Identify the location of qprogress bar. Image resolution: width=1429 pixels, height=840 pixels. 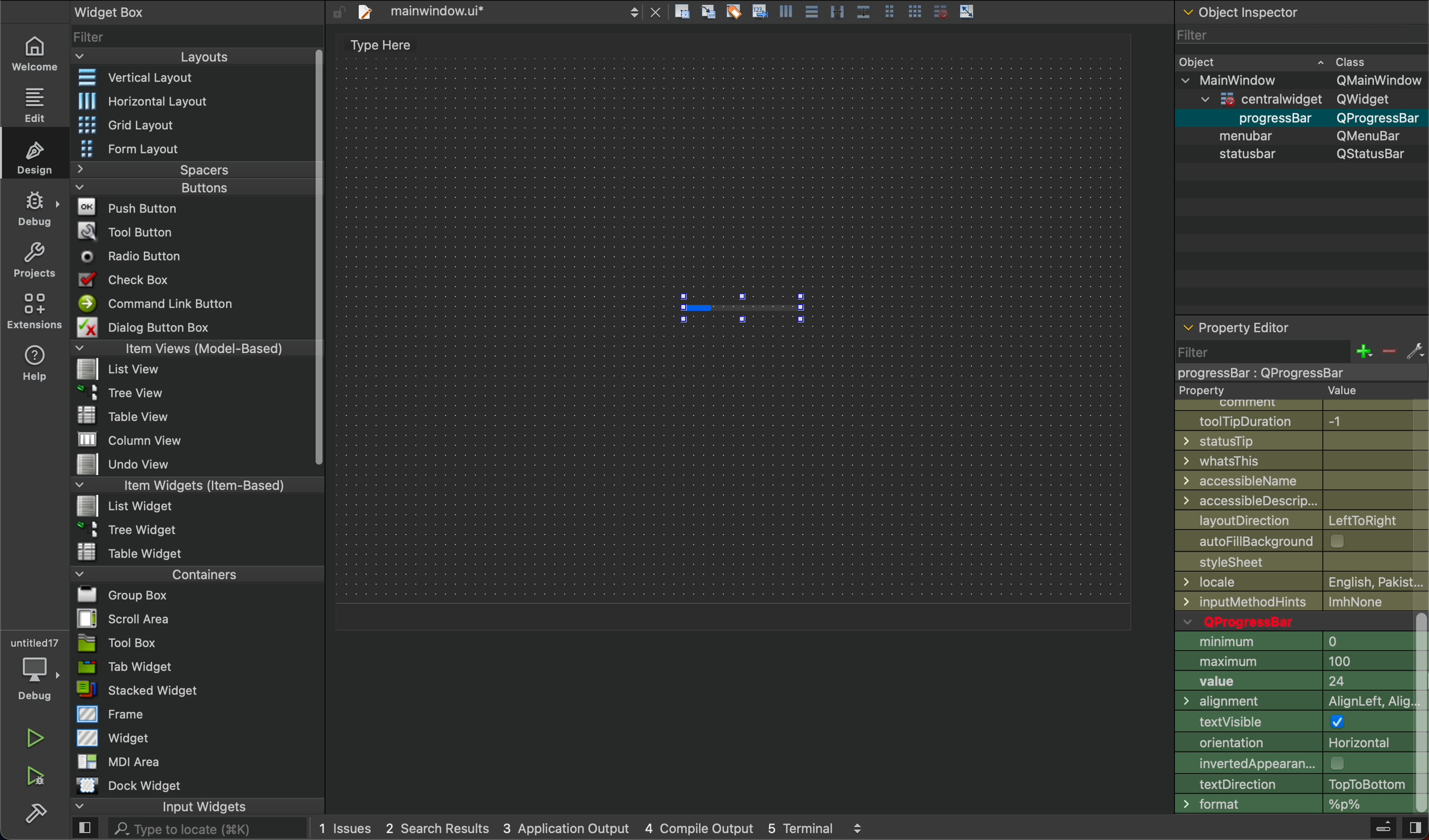
(1292, 621).